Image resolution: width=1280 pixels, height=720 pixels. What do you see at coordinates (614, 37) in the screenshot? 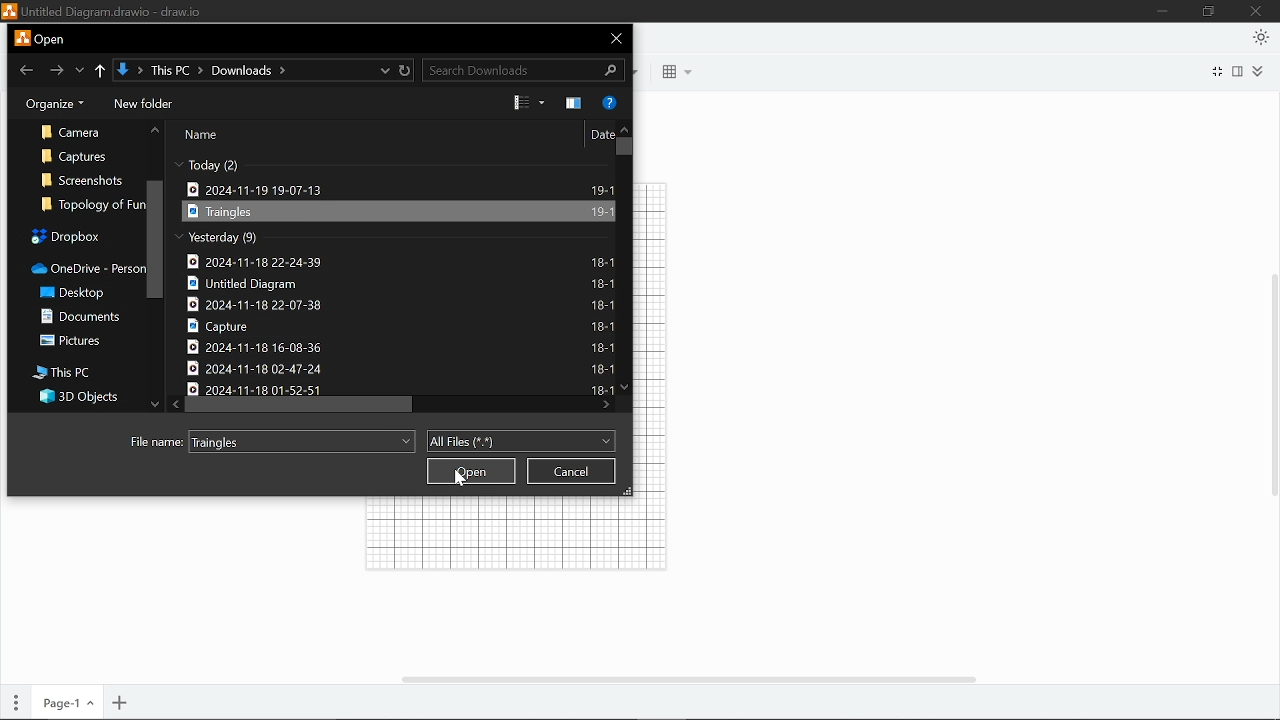
I see `Close` at bounding box center [614, 37].